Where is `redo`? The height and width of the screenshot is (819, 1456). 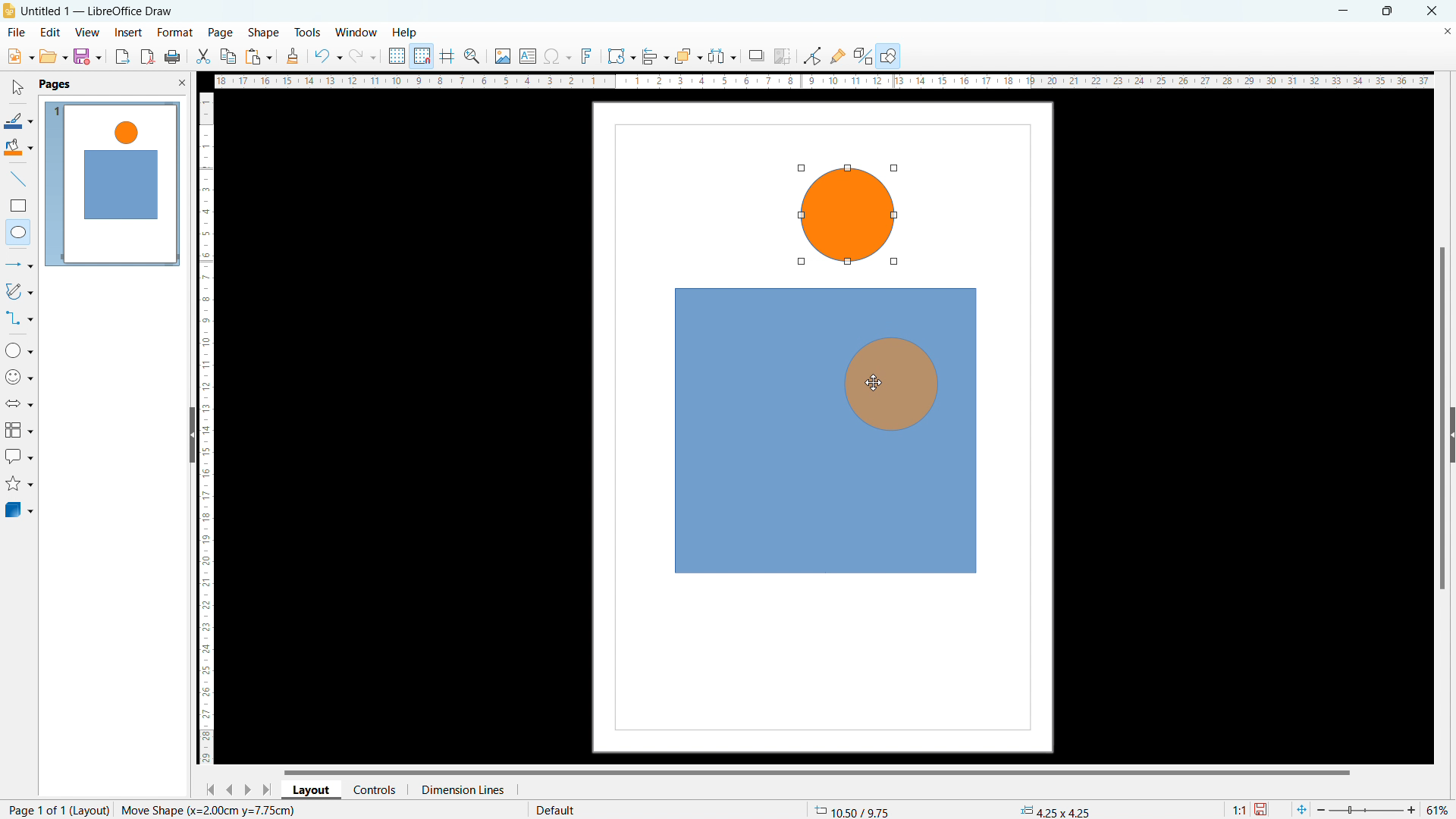
redo is located at coordinates (362, 57).